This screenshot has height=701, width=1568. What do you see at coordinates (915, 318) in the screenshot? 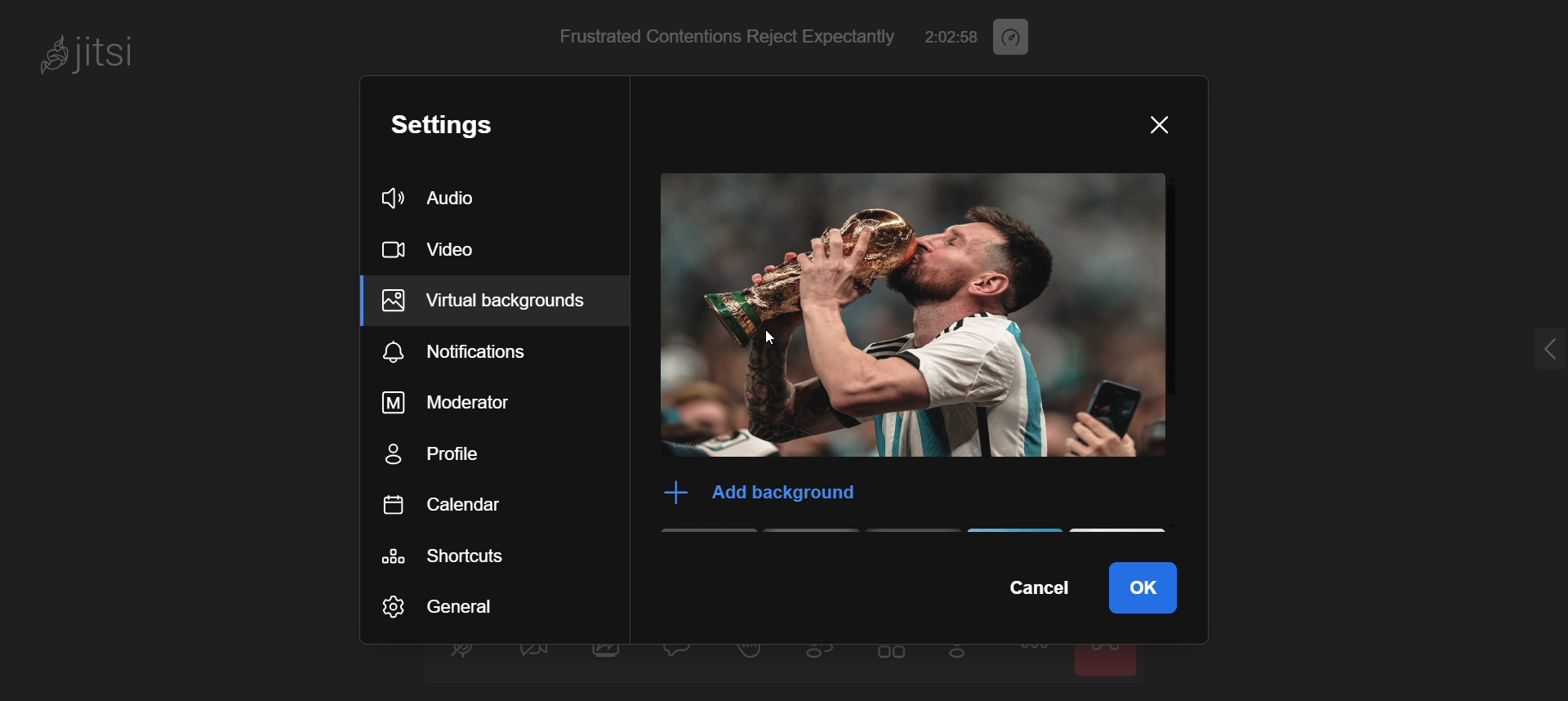
I see `added a custom virtual background` at bounding box center [915, 318].